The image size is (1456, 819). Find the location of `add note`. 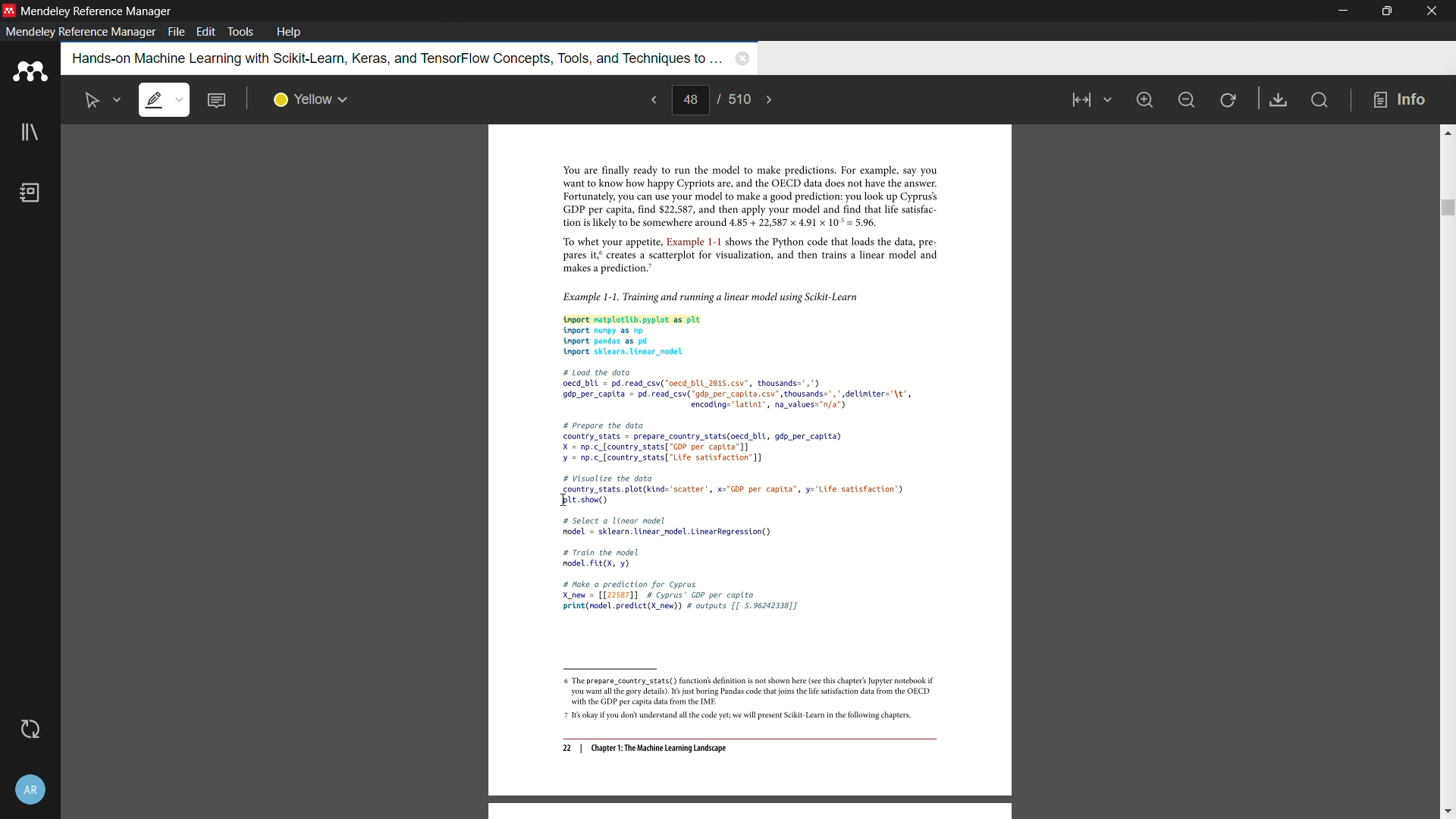

add note is located at coordinates (215, 101).